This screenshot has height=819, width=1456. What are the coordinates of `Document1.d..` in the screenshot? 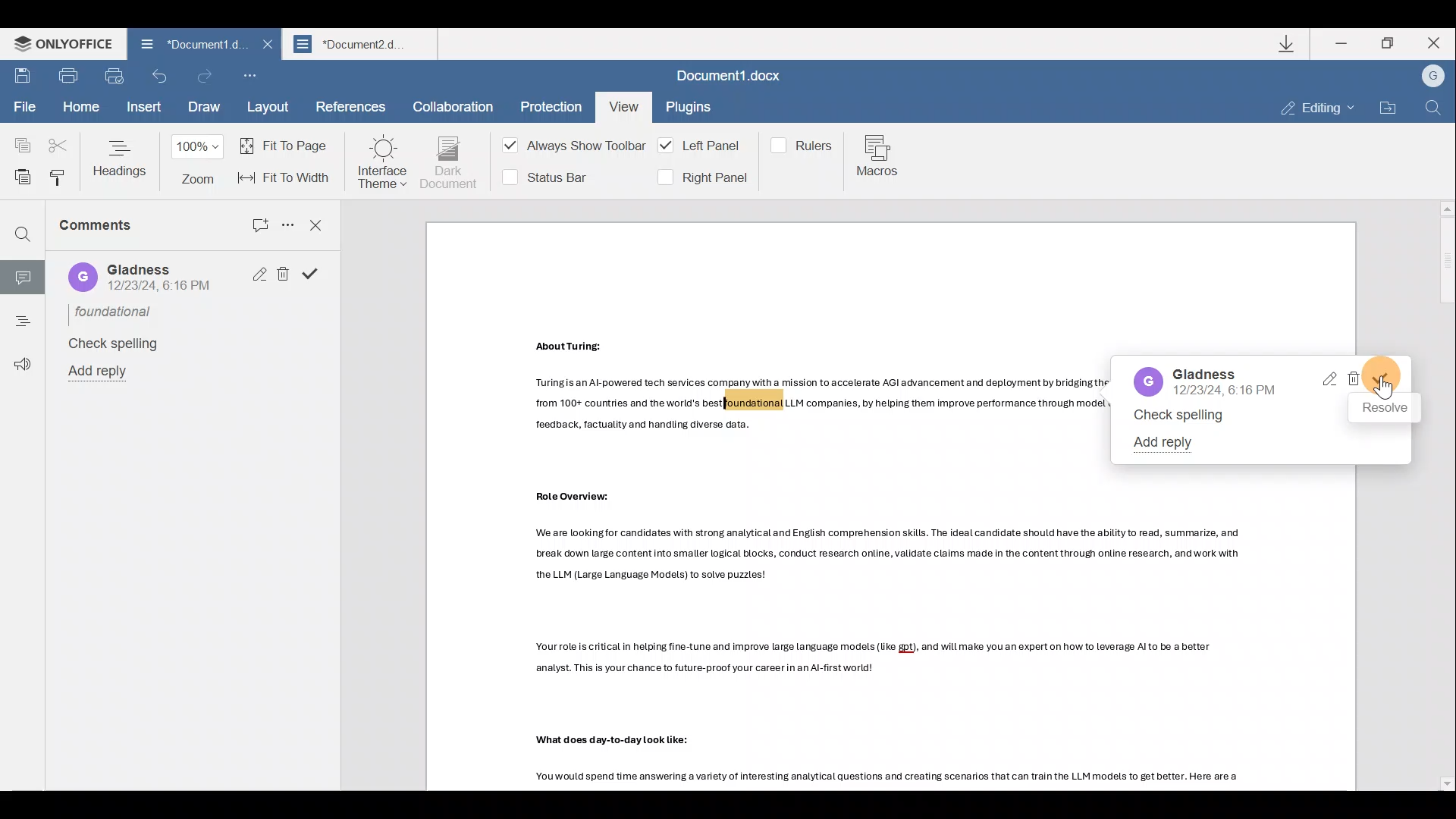 It's located at (183, 46).